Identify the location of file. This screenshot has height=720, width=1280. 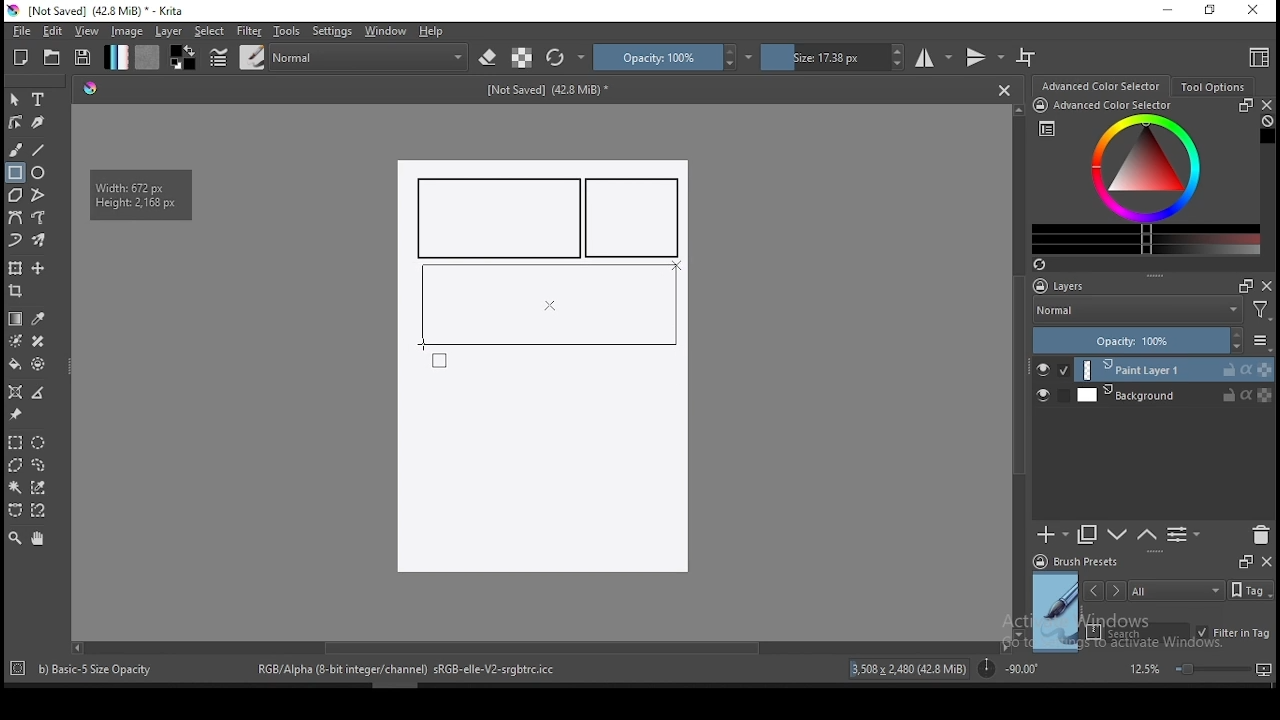
(21, 31).